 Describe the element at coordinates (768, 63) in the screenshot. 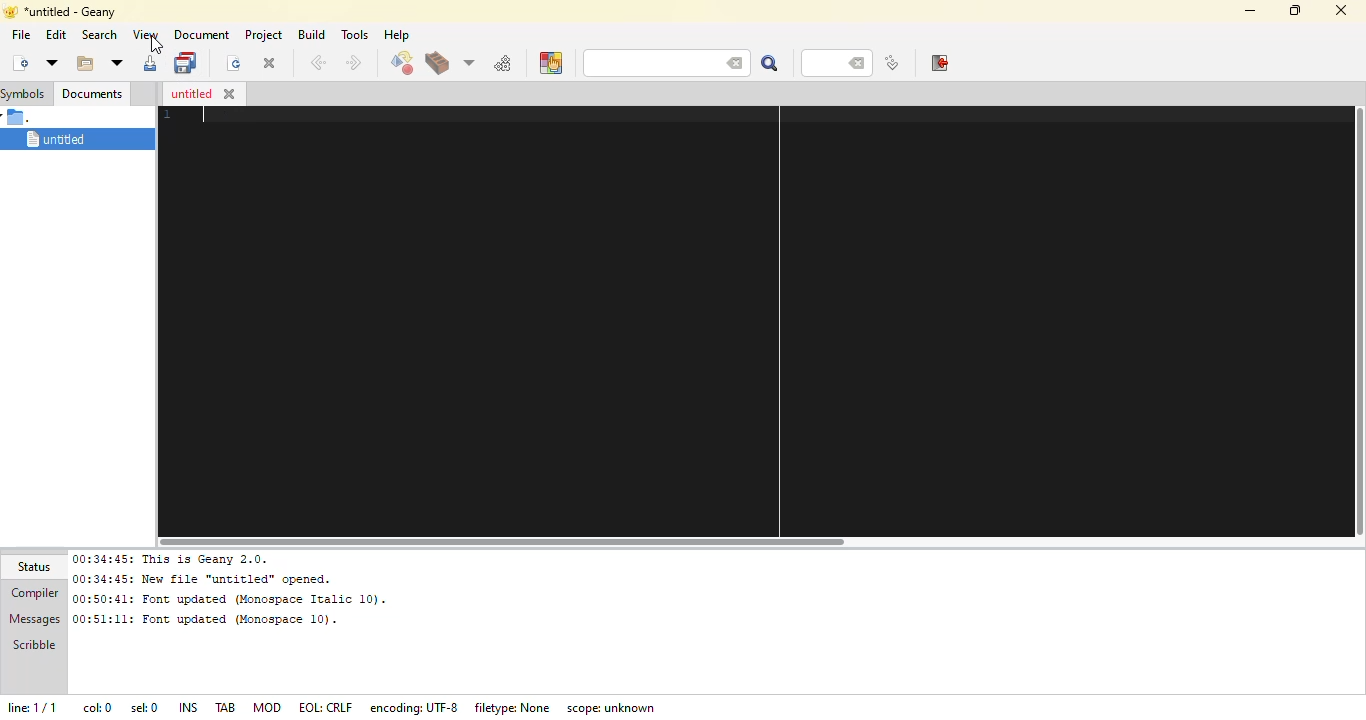

I see `search` at that location.